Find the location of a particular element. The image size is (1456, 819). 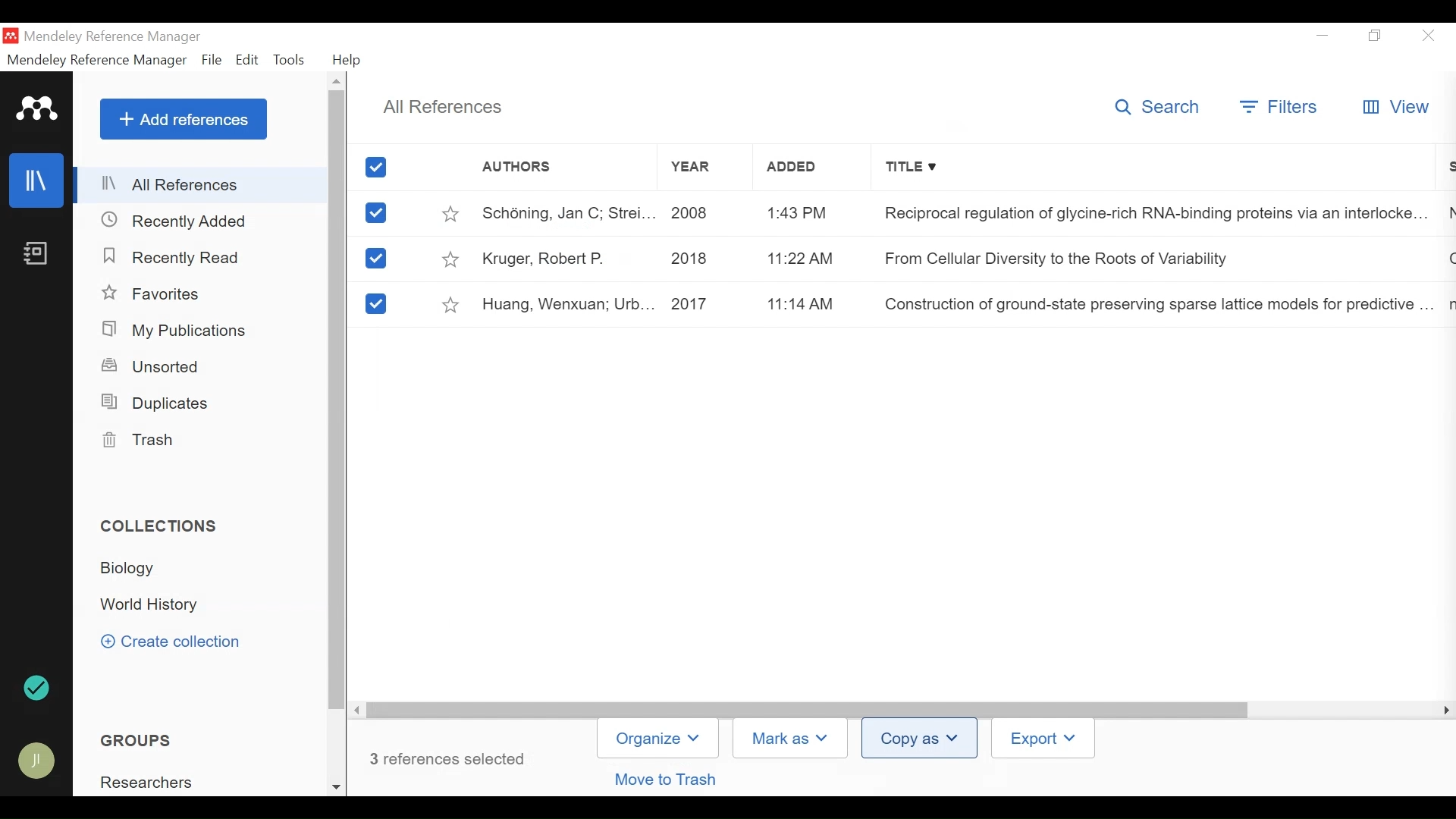

Mendeley Logo is located at coordinates (37, 111).